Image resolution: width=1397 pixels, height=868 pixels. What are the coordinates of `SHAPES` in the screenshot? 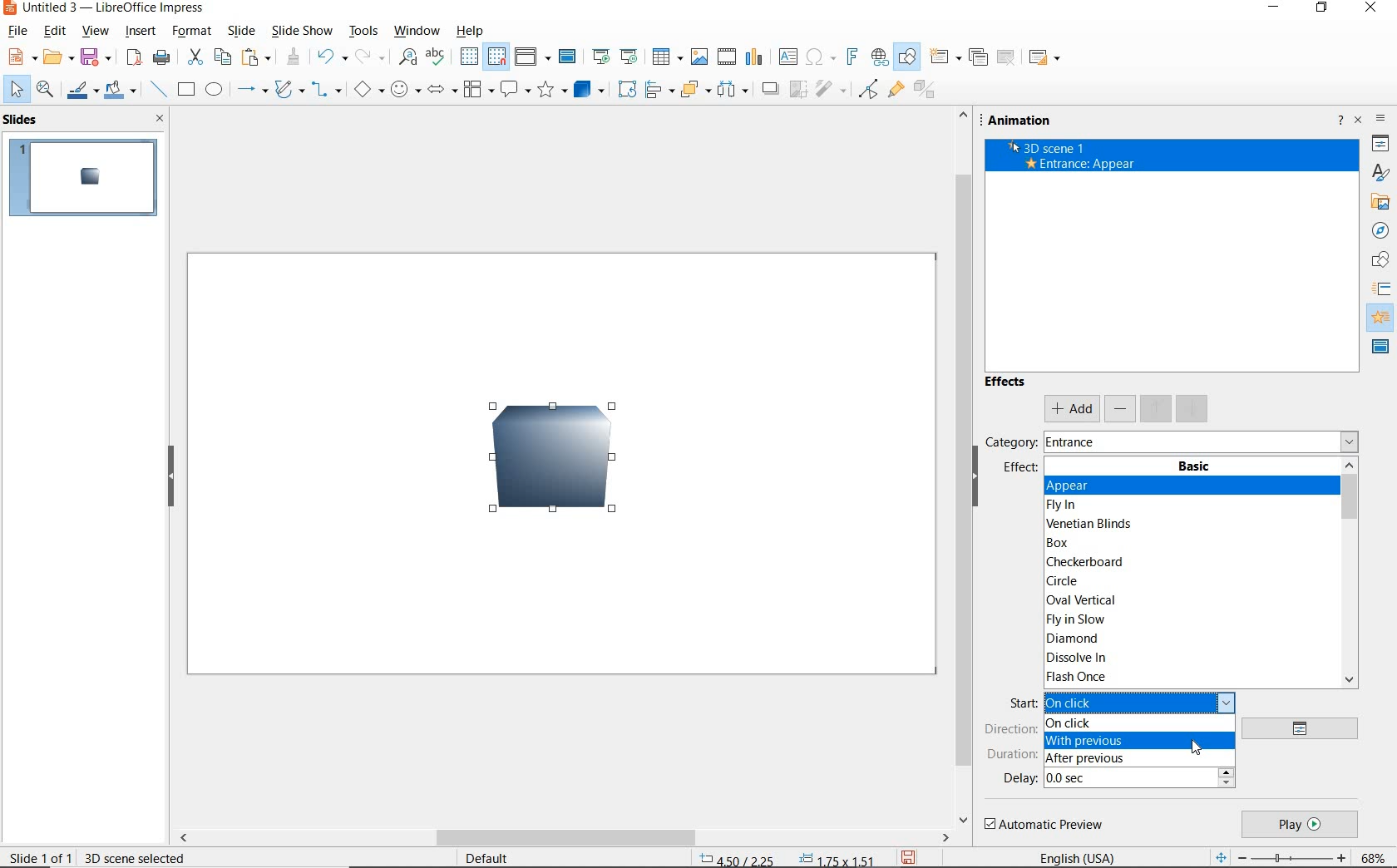 It's located at (1381, 261).